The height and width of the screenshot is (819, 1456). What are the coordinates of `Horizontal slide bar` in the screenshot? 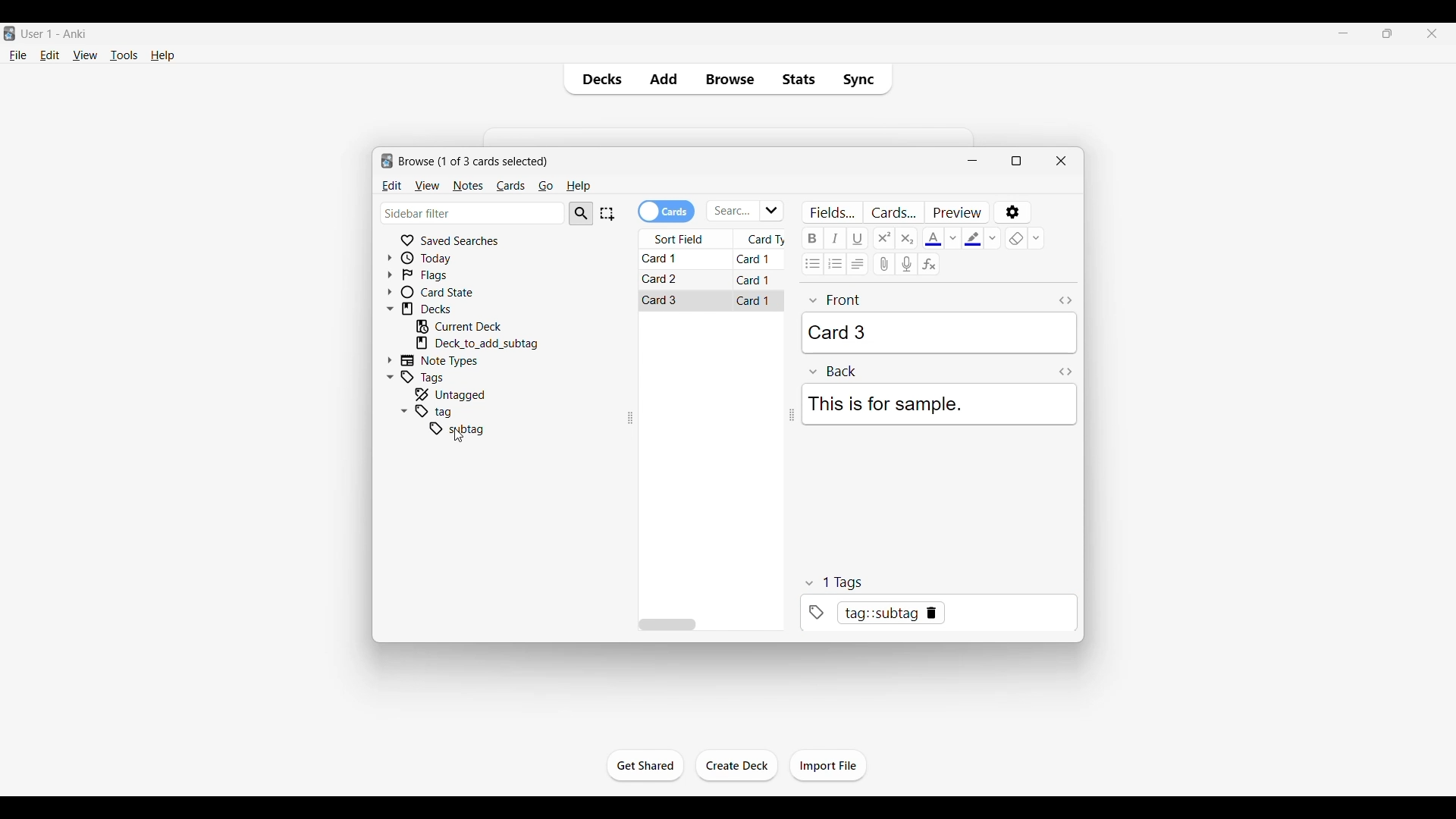 It's located at (667, 625).